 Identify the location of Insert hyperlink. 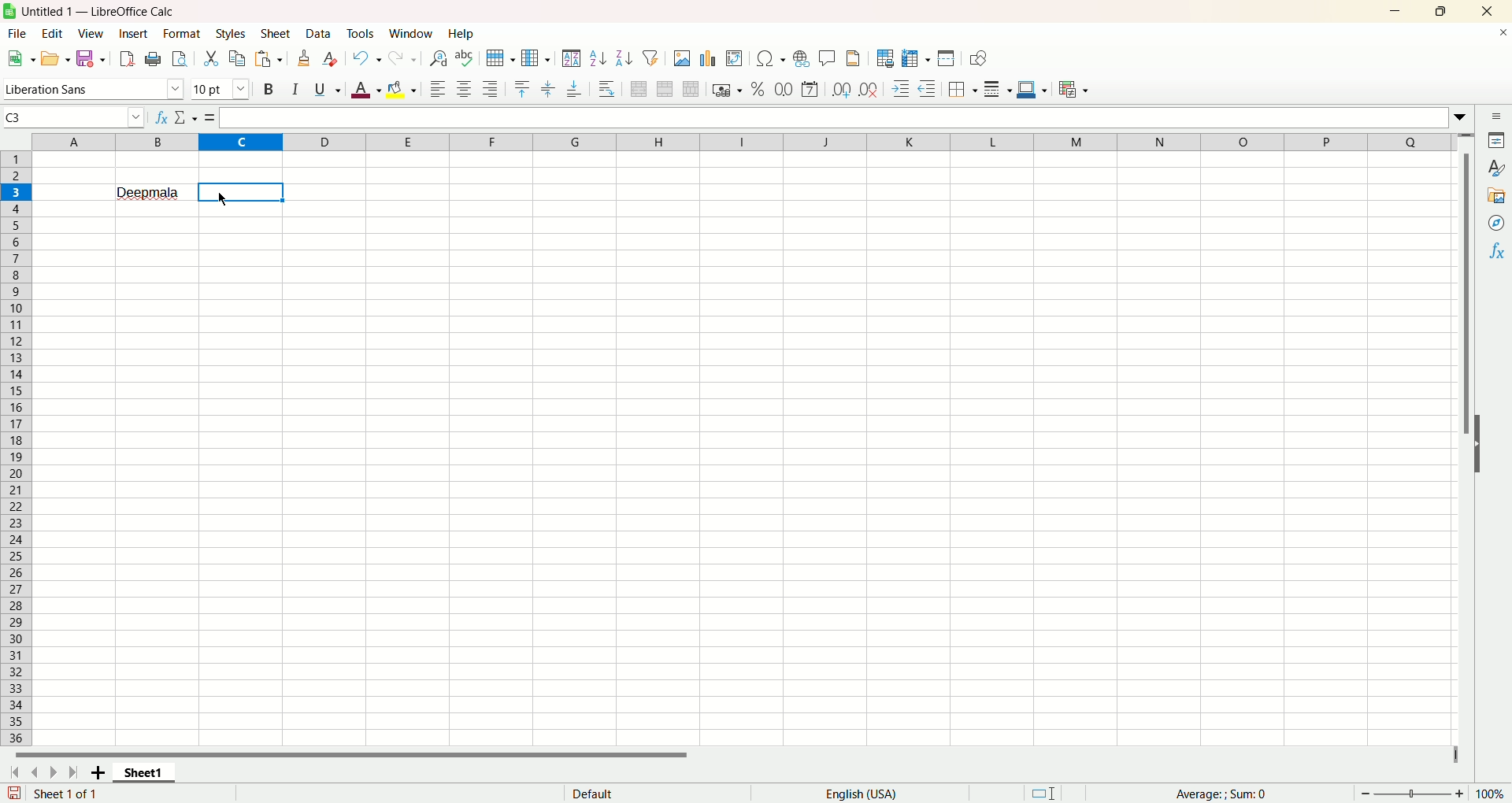
(801, 57).